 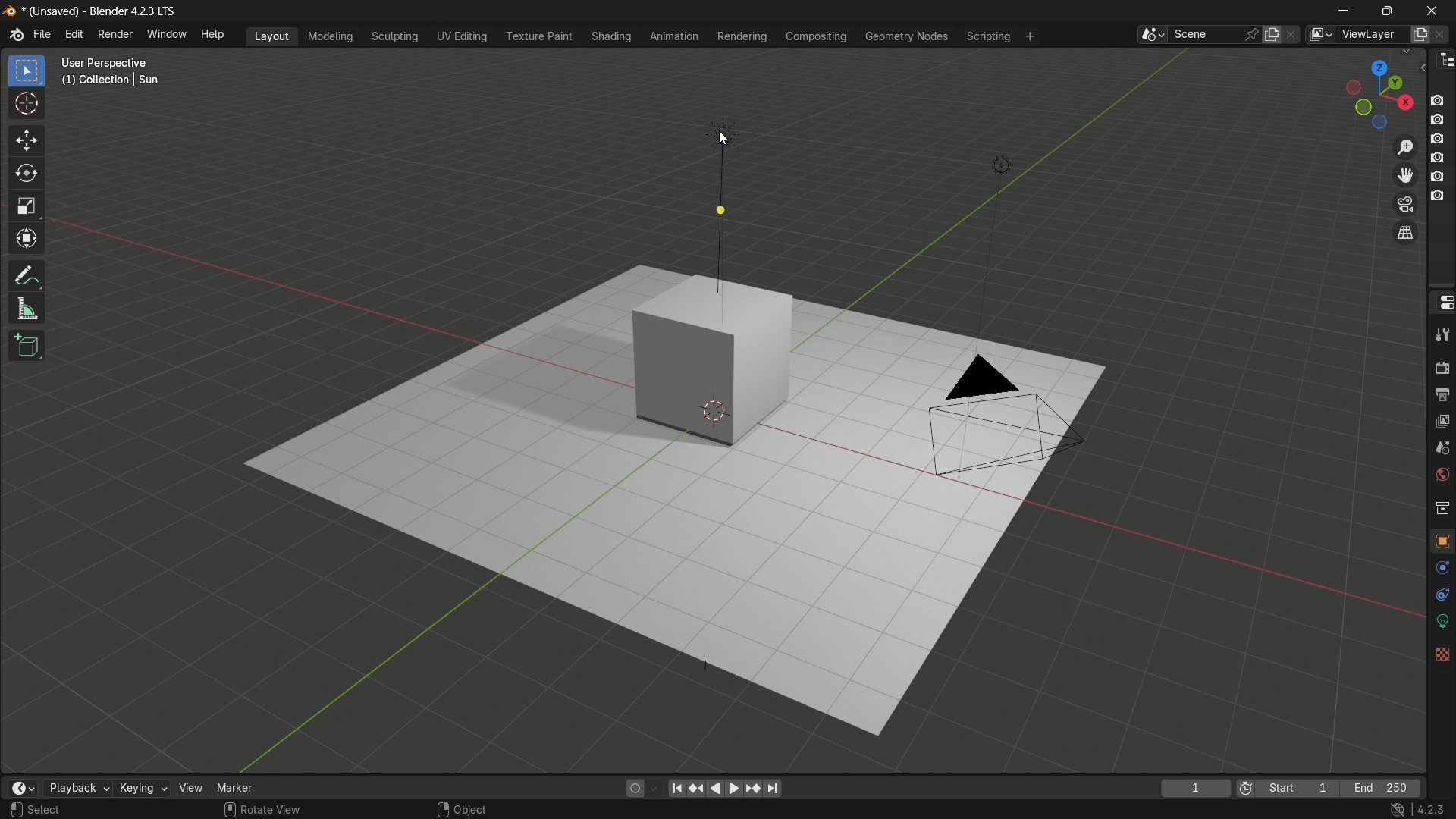 What do you see at coordinates (1244, 786) in the screenshot?
I see `icon` at bounding box center [1244, 786].